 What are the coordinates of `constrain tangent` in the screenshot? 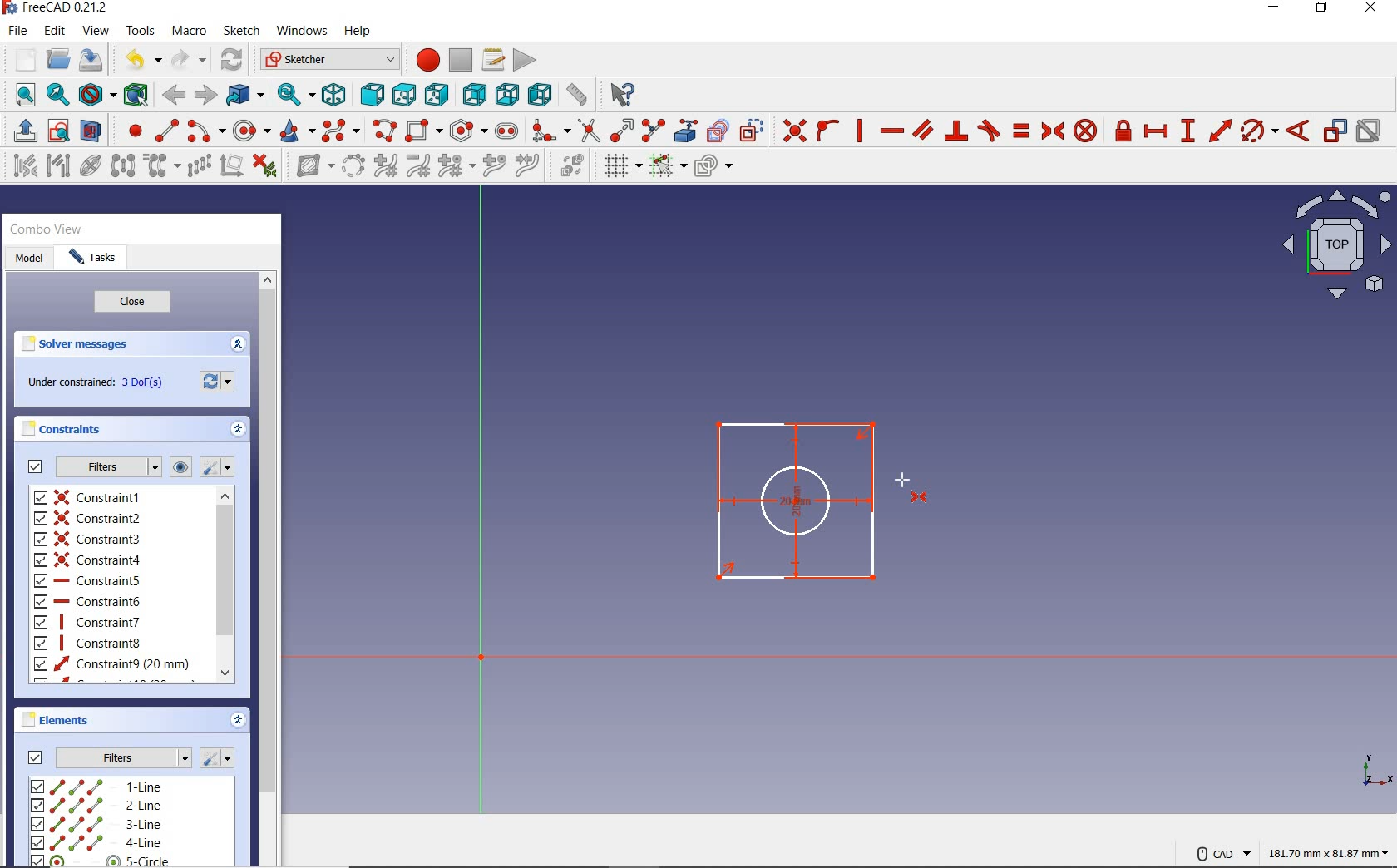 It's located at (989, 131).